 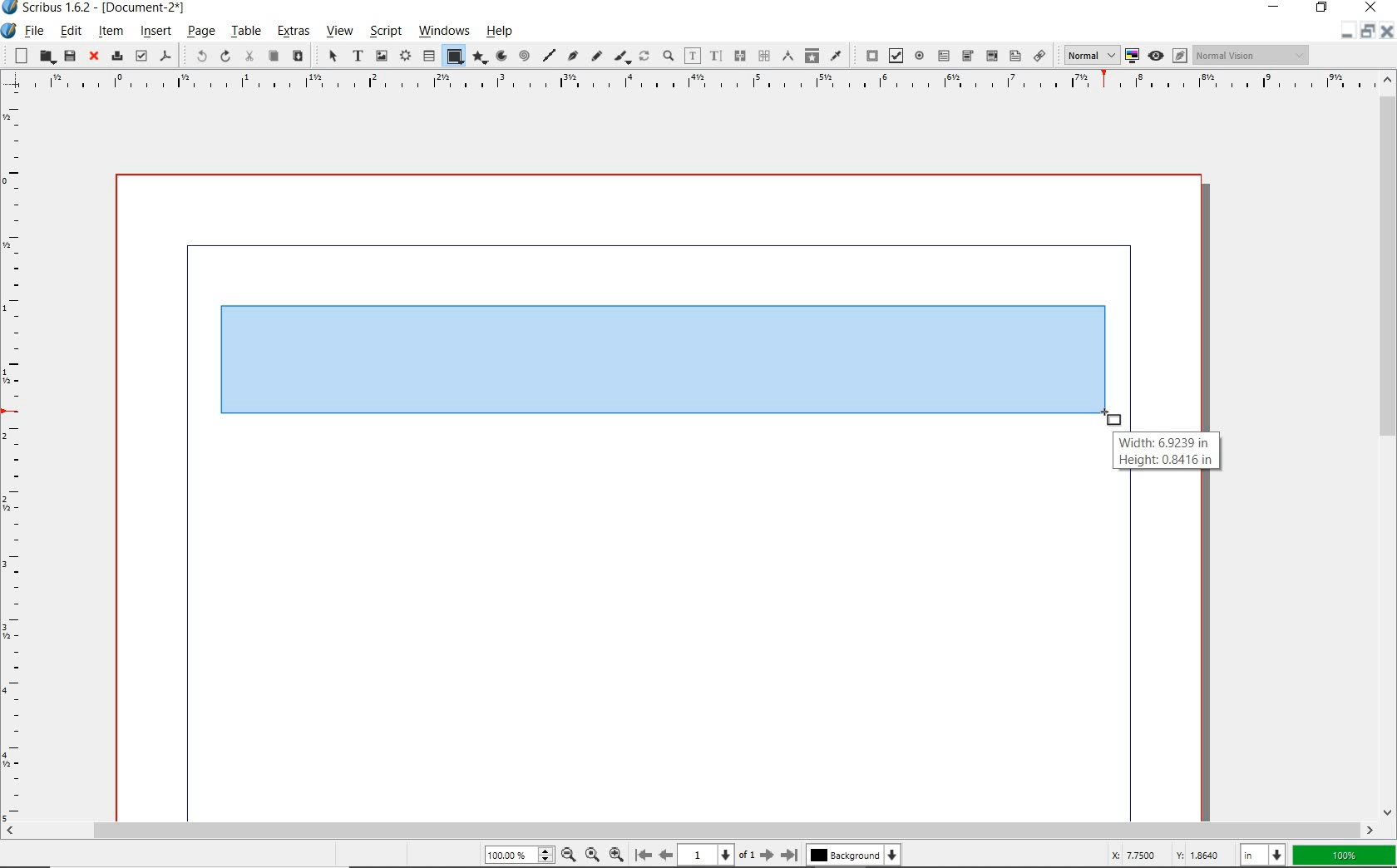 I want to click on drawing rectangle, so click(x=670, y=360).